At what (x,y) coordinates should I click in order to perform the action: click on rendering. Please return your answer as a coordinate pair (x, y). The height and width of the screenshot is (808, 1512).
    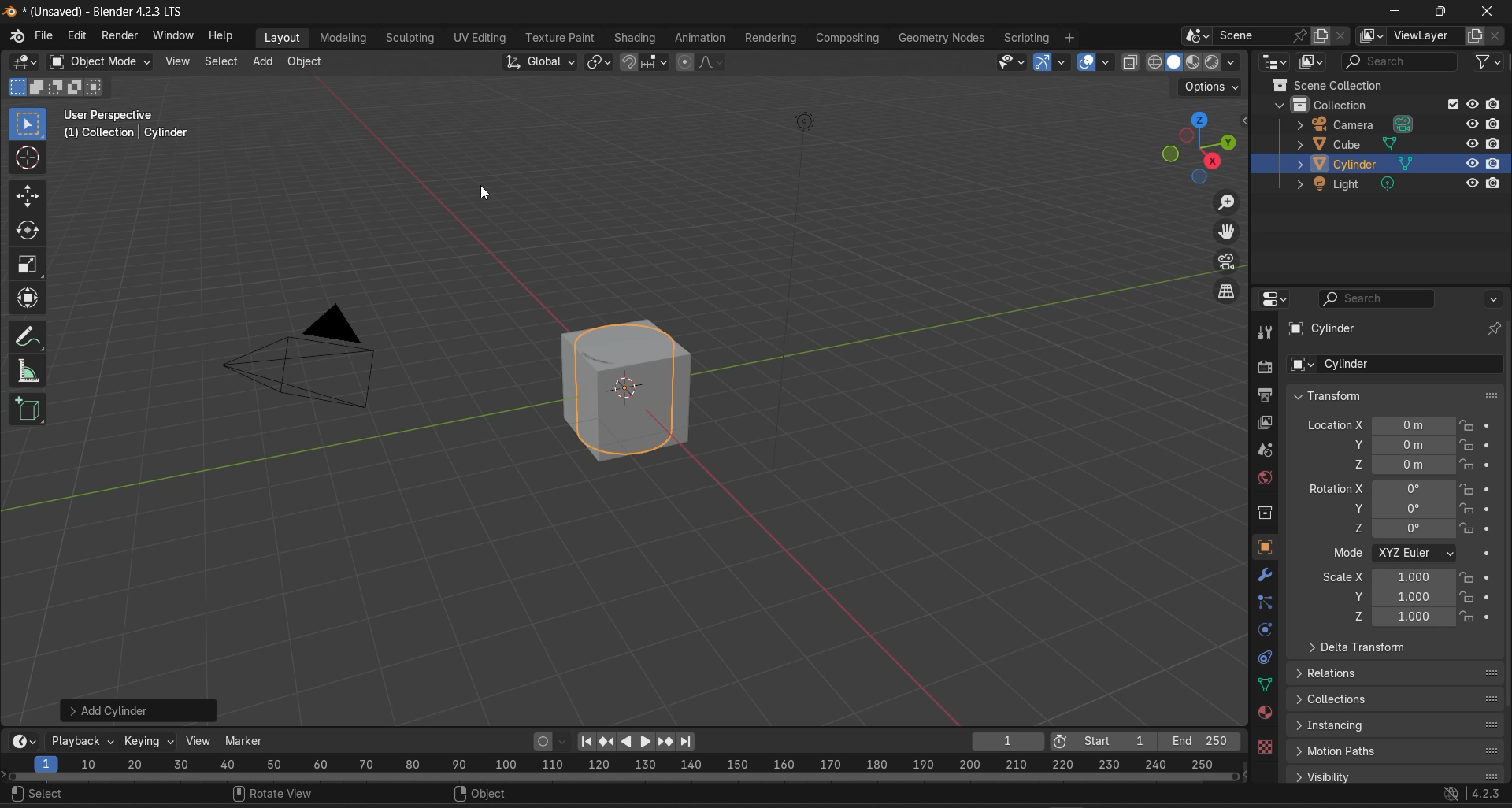
    Looking at the image, I should click on (774, 38).